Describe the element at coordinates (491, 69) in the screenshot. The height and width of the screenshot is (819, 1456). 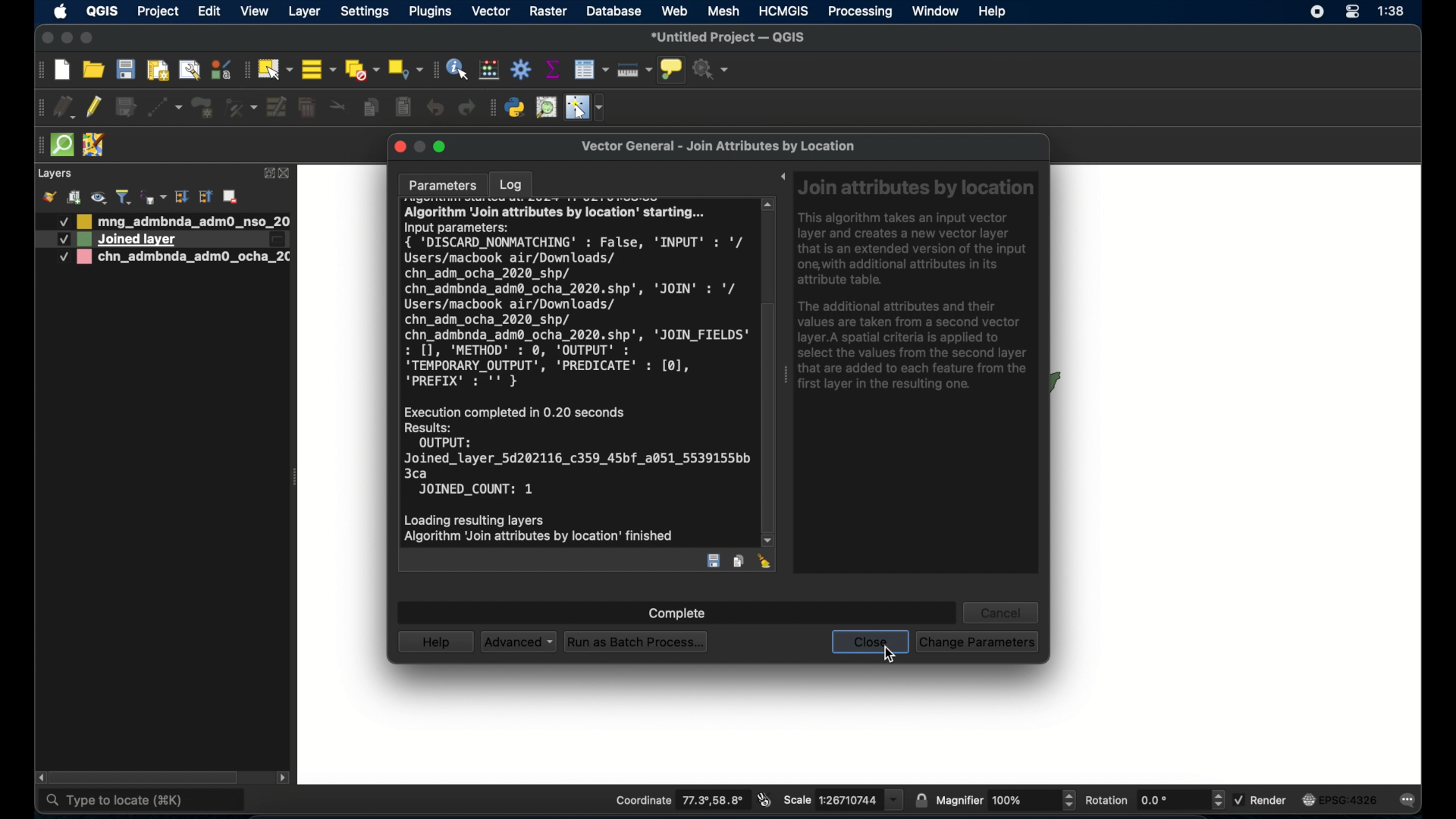
I see `open field calculator` at that location.